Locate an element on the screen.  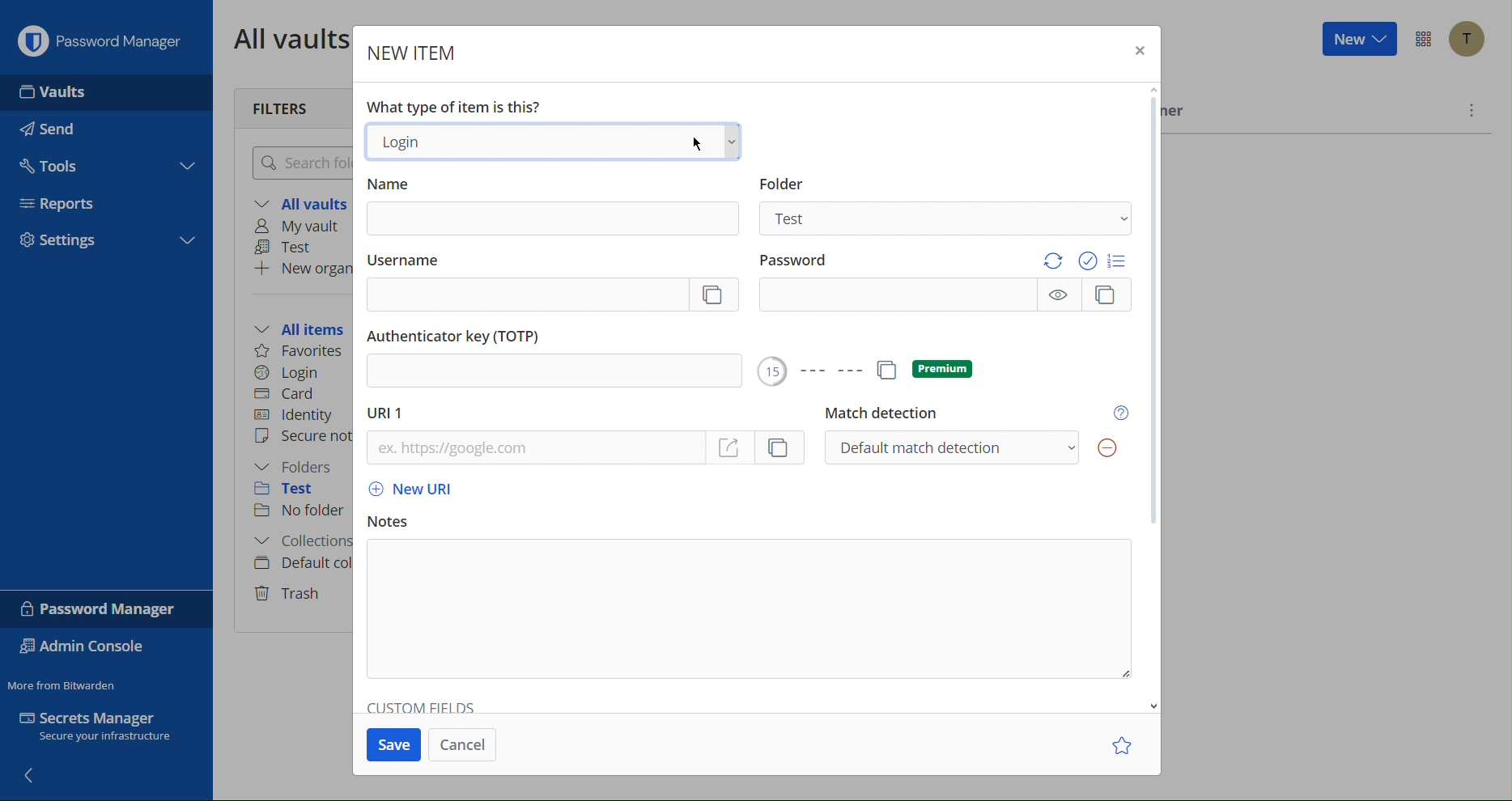
Username is located at coordinates (415, 261).